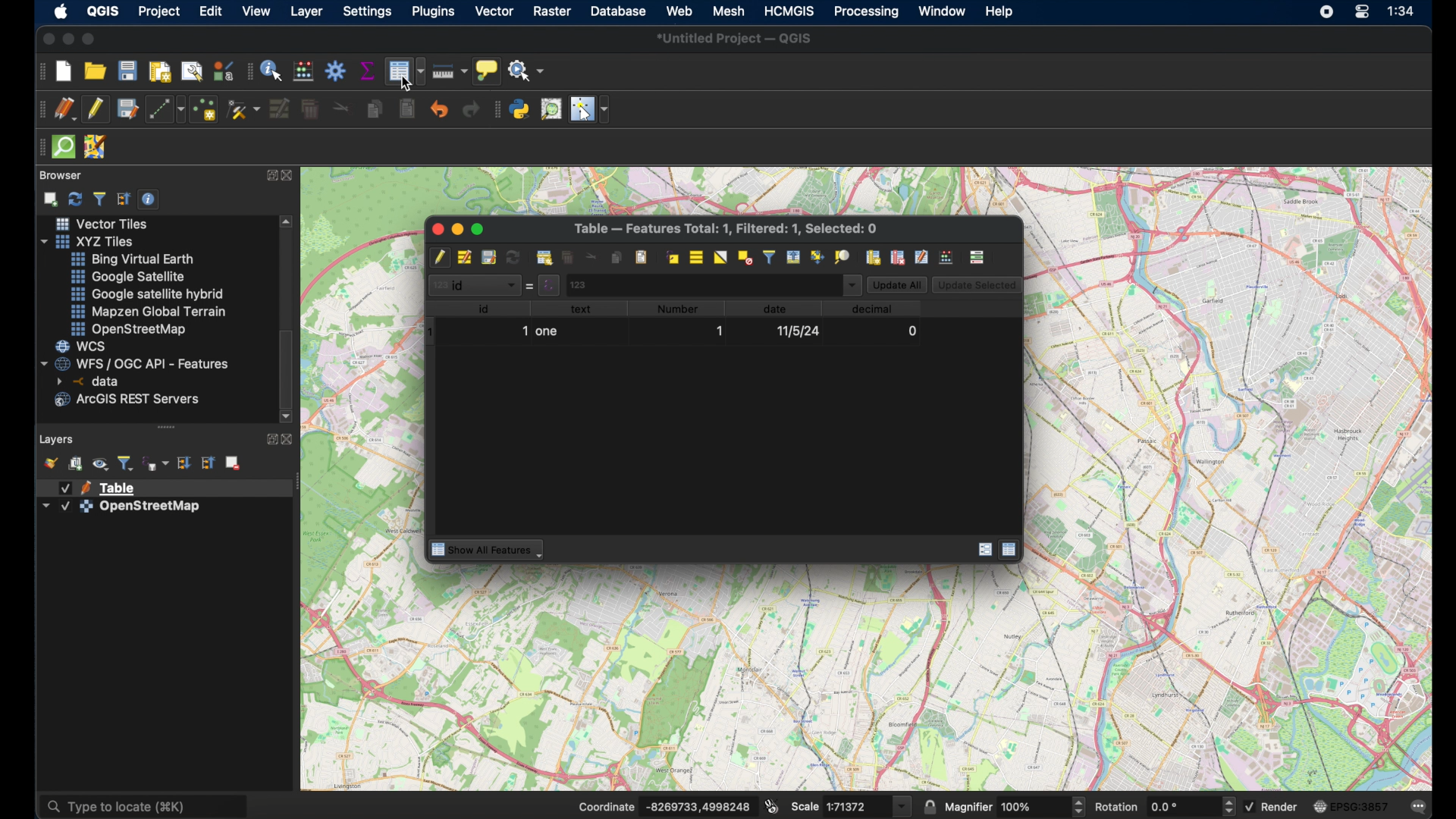 The width and height of the screenshot is (1456, 819). I want to click on 1, so click(524, 331).